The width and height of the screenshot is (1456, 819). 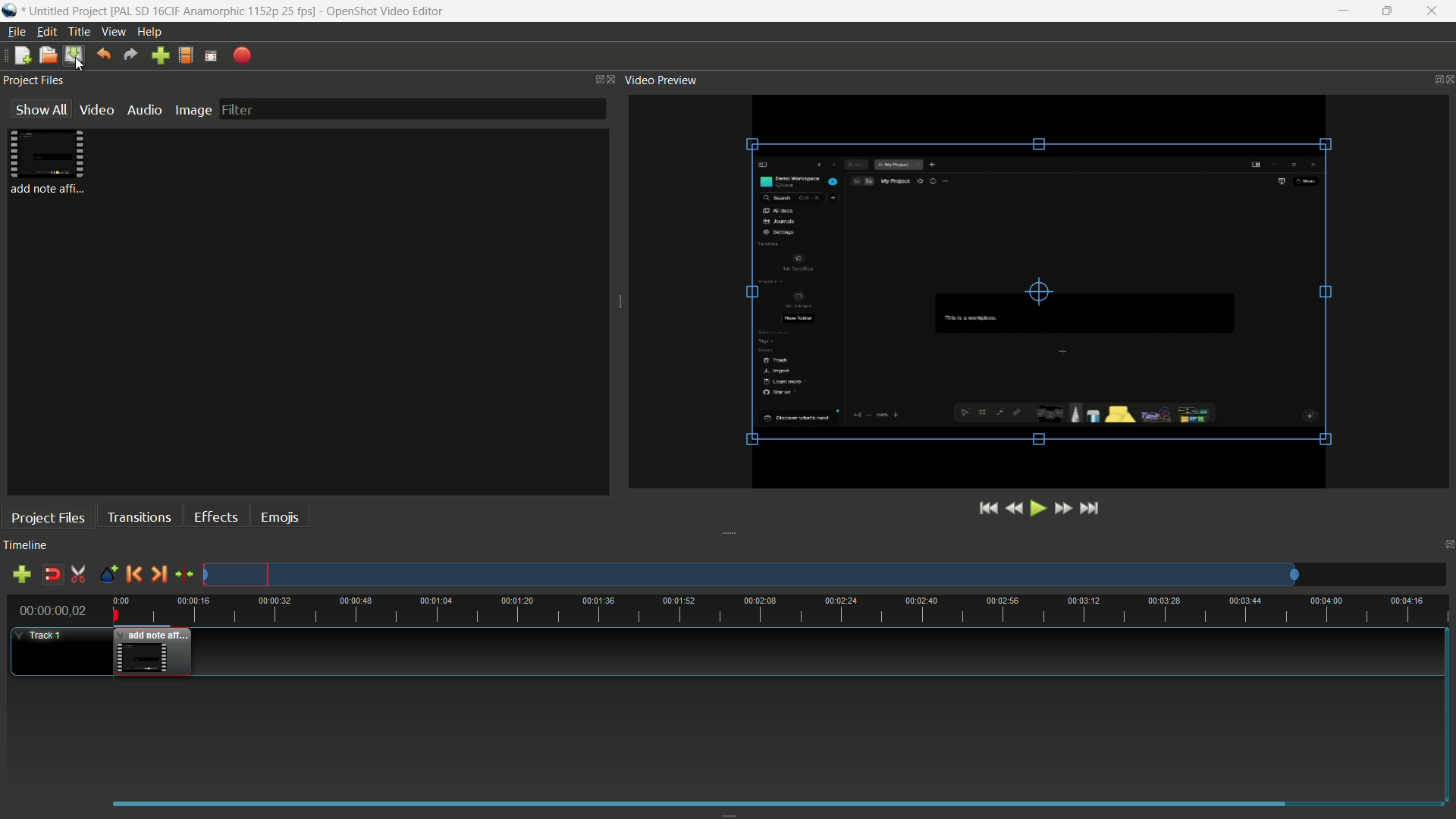 I want to click on maximize, so click(x=1390, y=11).